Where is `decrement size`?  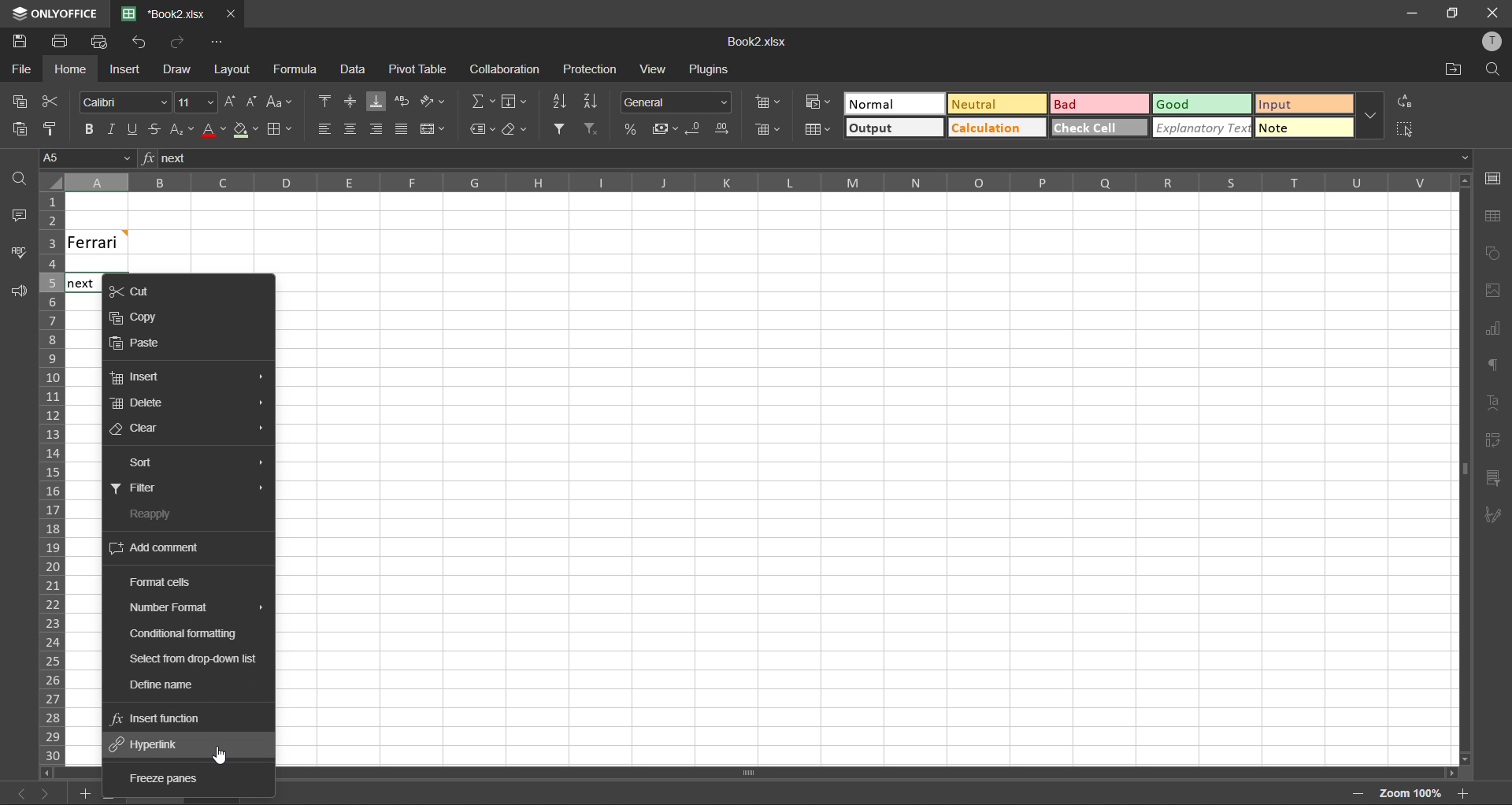
decrement size is located at coordinates (252, 99).